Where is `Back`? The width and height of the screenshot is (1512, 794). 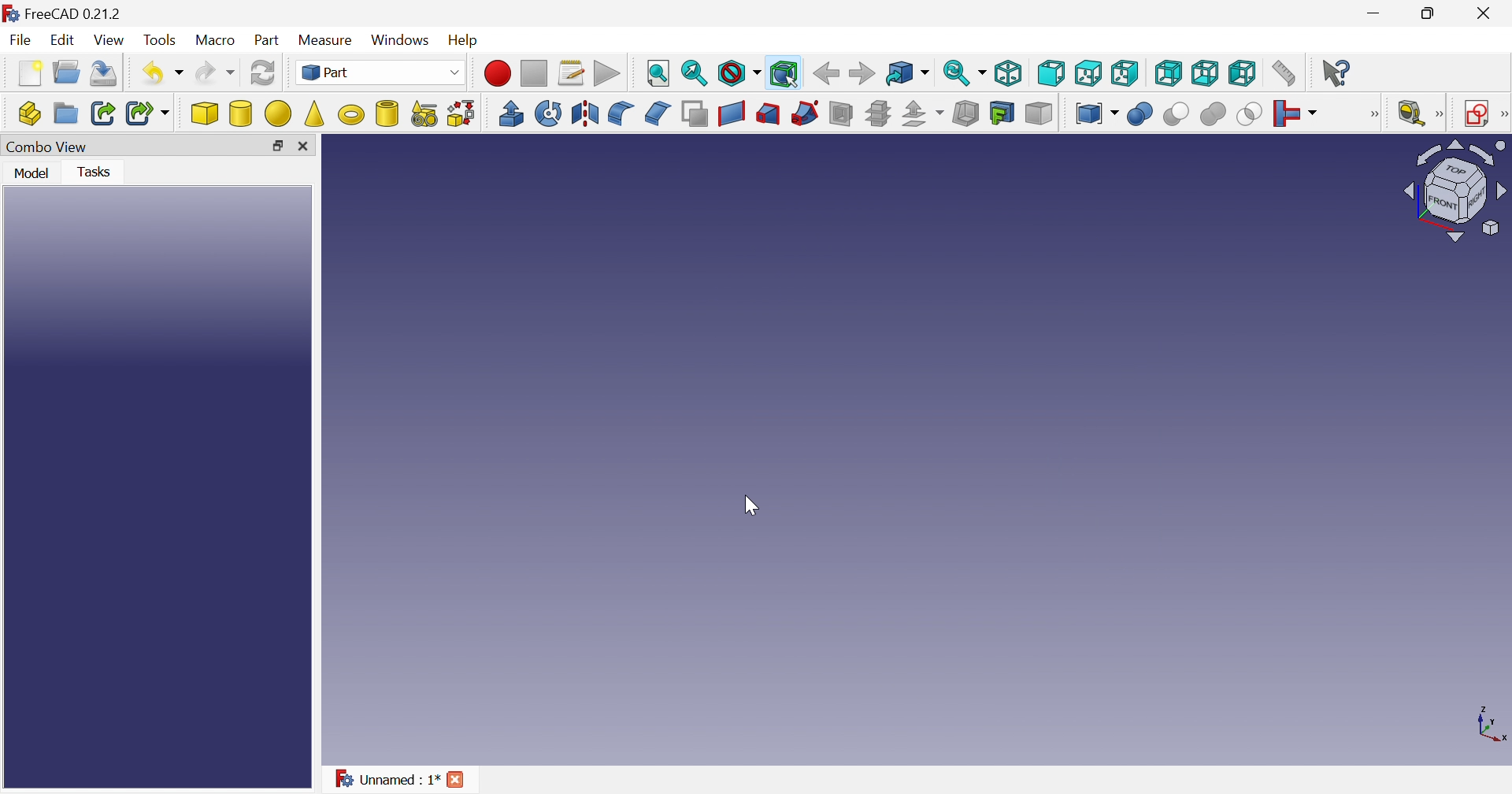
Back is located at coordinates (826, 72).